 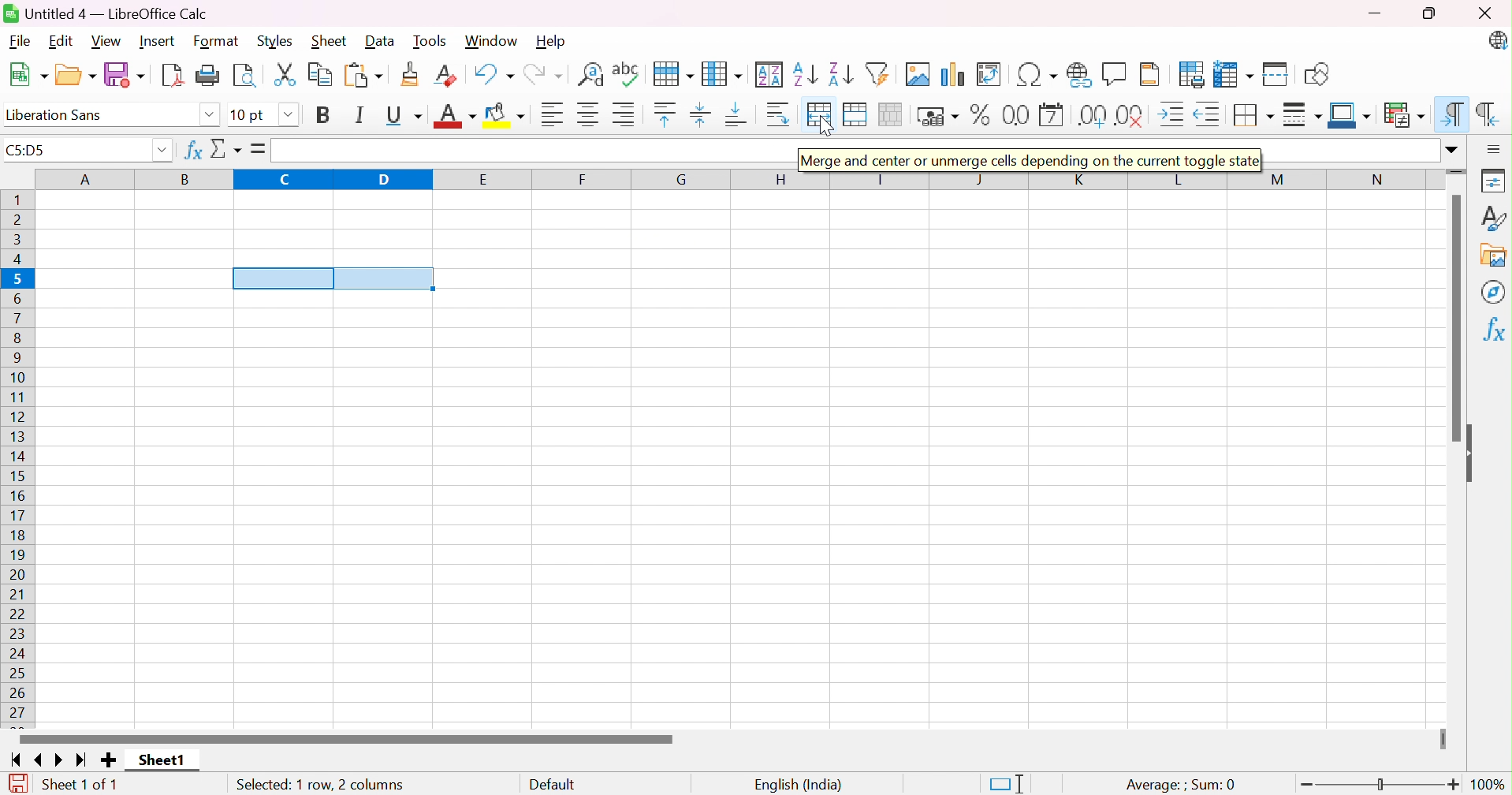 I want to click on Right-To-Left, so click(x=1487, y=111).